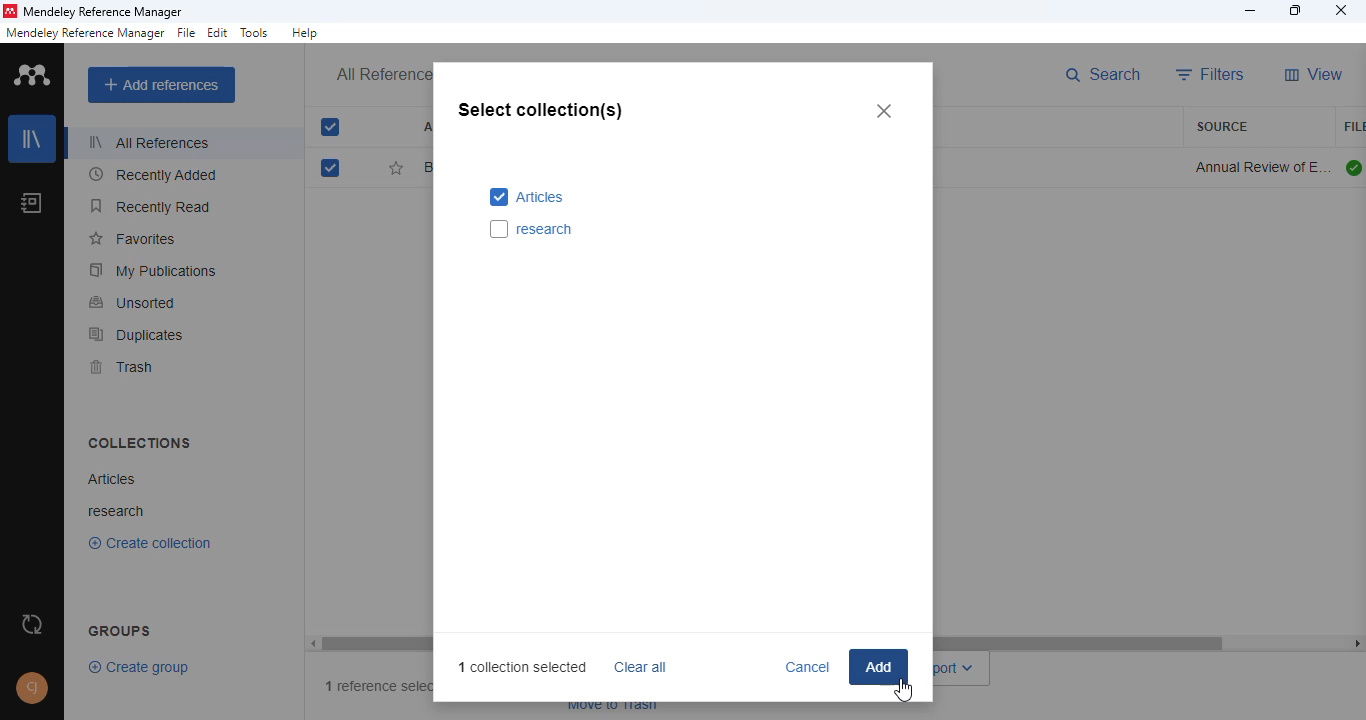  Describe the element at coordinates (1104, 75) in the screenshot. I see `search` at that location.